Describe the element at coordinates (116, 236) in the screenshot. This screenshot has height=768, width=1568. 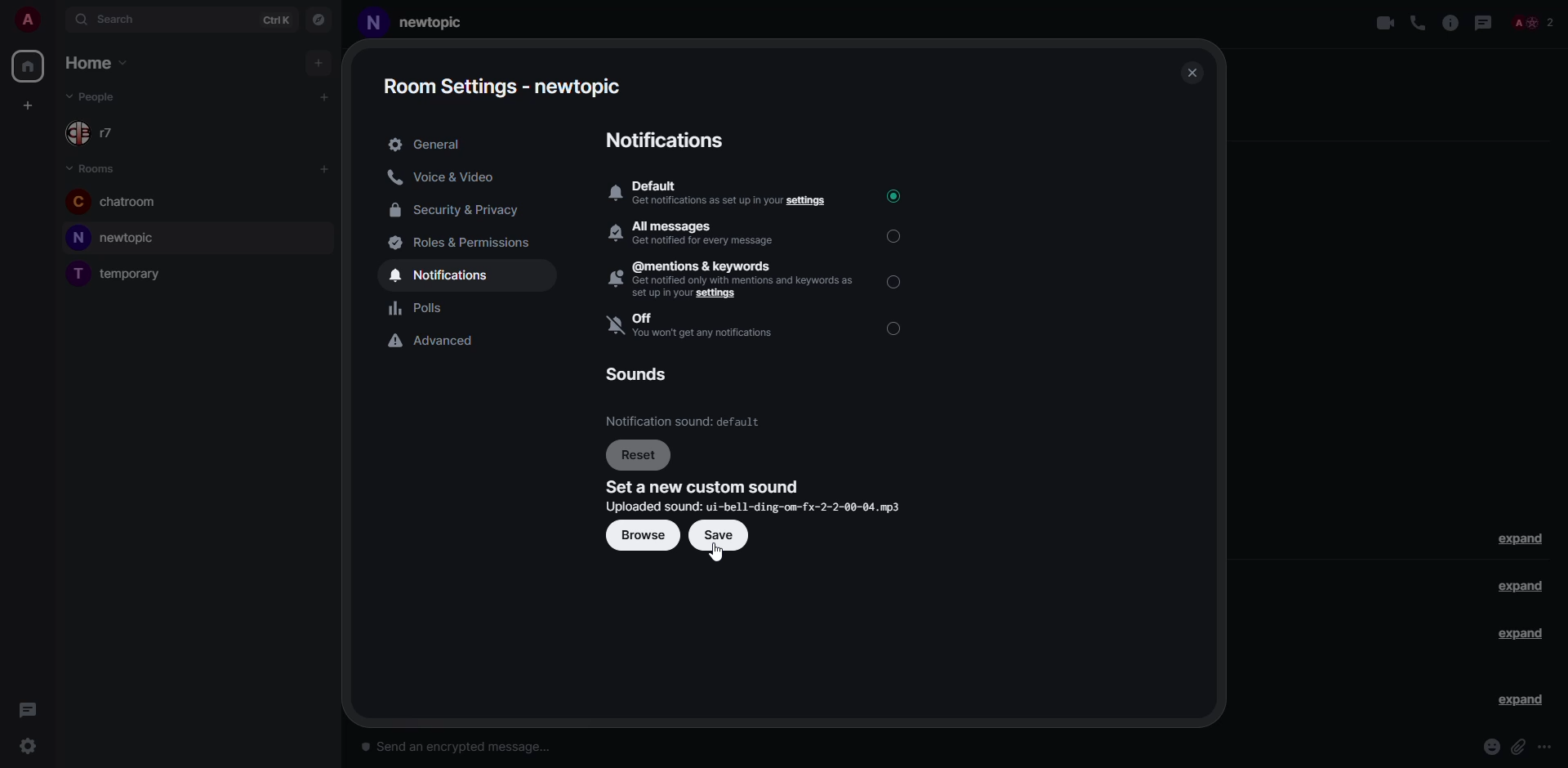
I see `room` at that location.